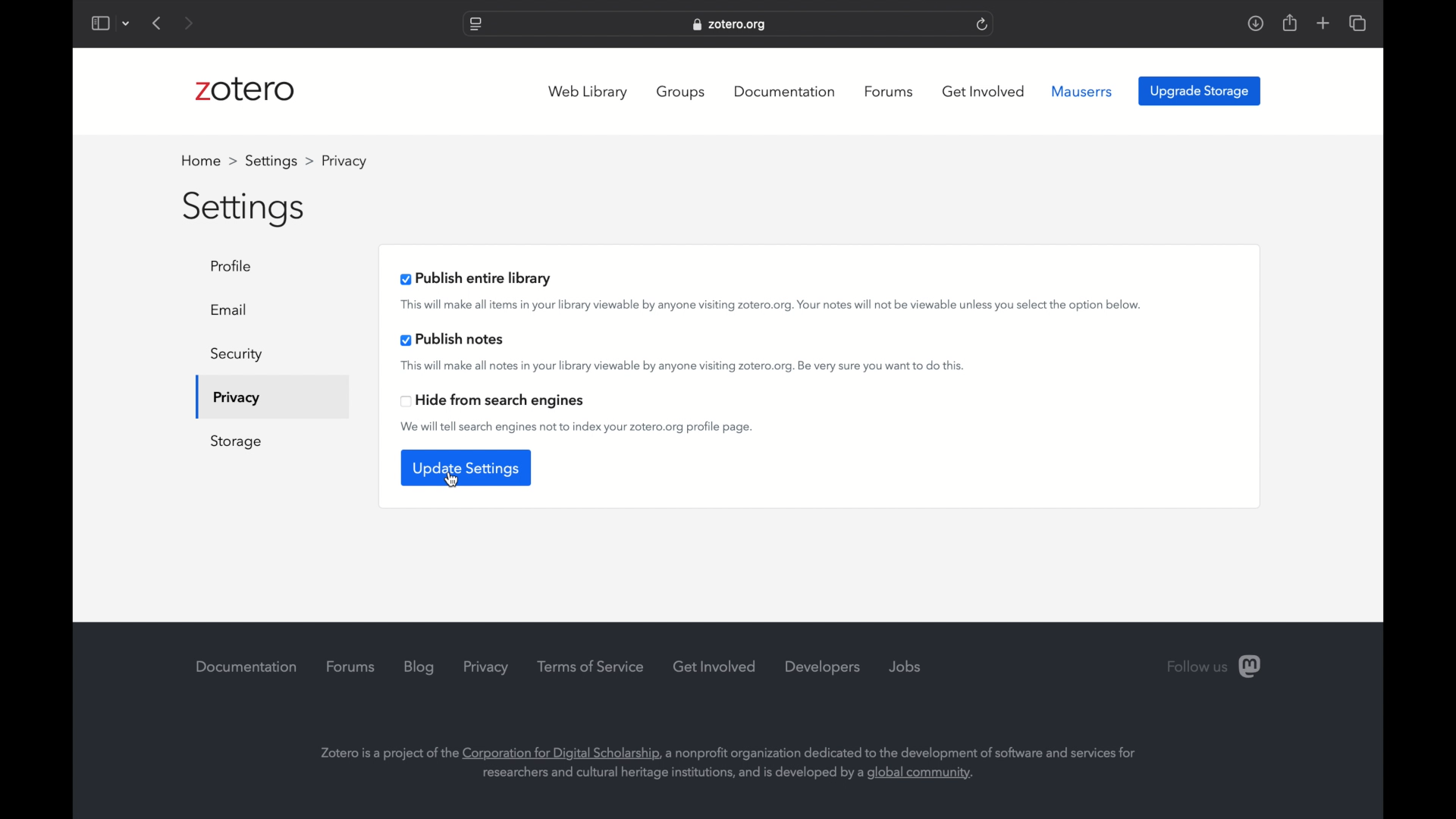  Describe the element at coordinates (453, 340) in the screenshot. I see `publish notes` at that location.